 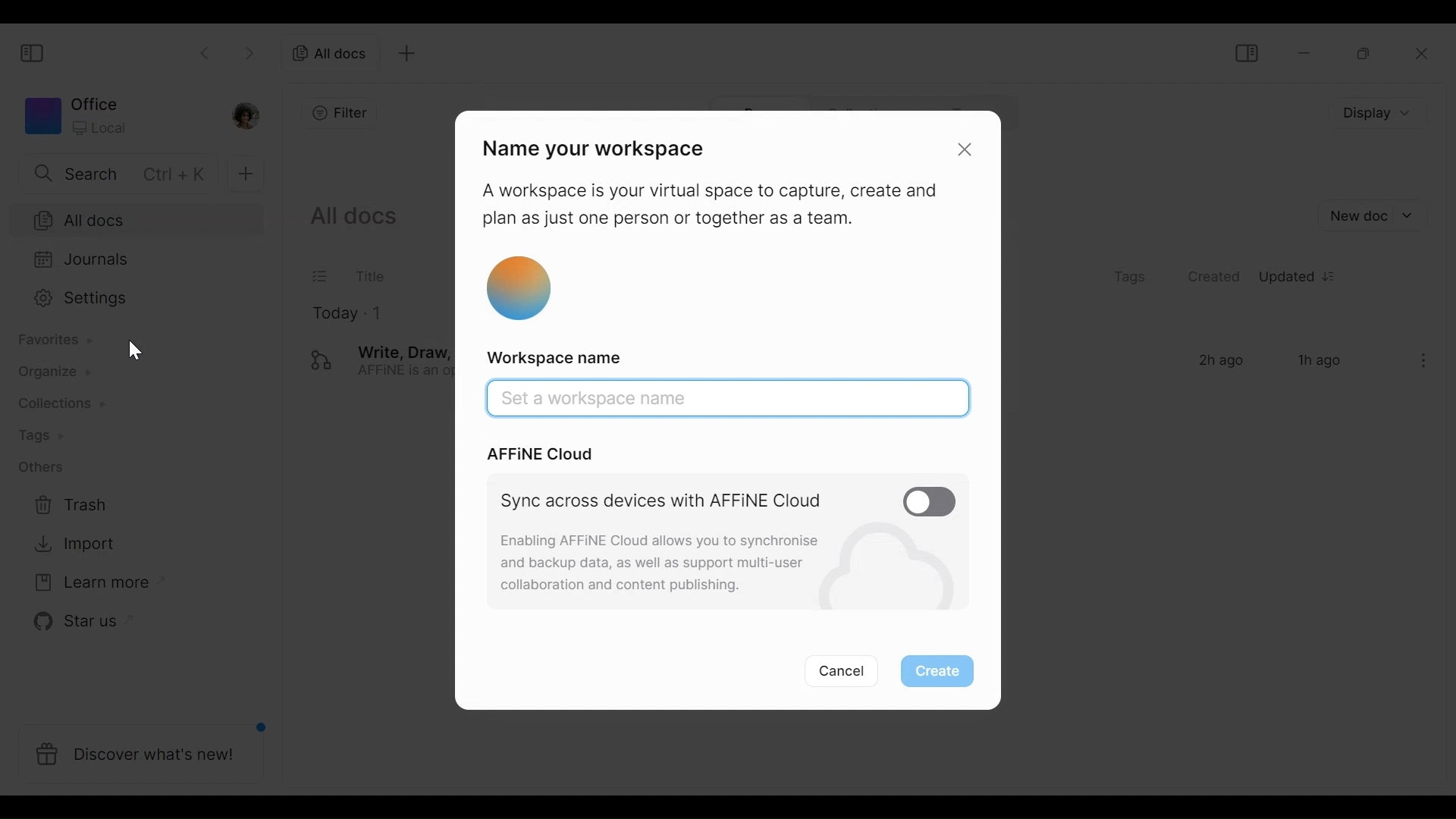 What do you see at coordinates (1130, 276) in the screenshot?
I see `Tags` at bounding box center [1130, 276].